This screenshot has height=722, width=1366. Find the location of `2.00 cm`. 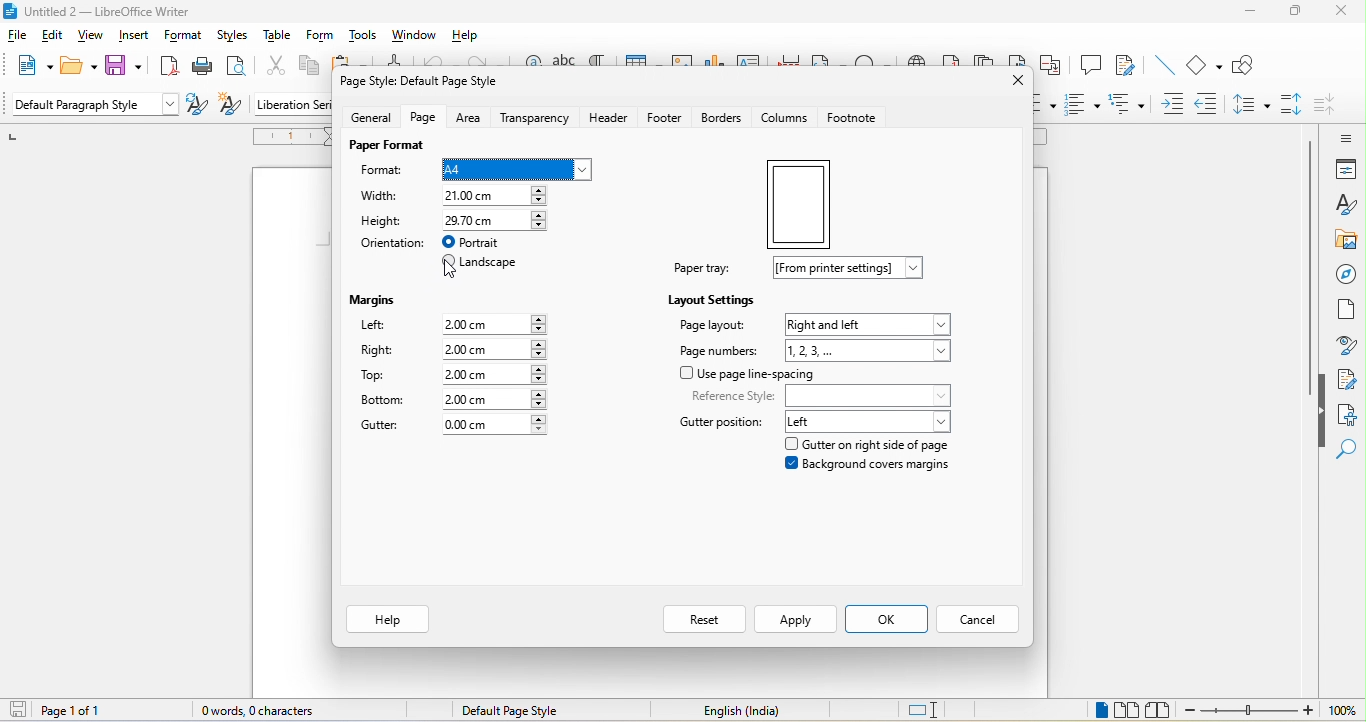

2.00 cm is located at coordinates (495, 372).